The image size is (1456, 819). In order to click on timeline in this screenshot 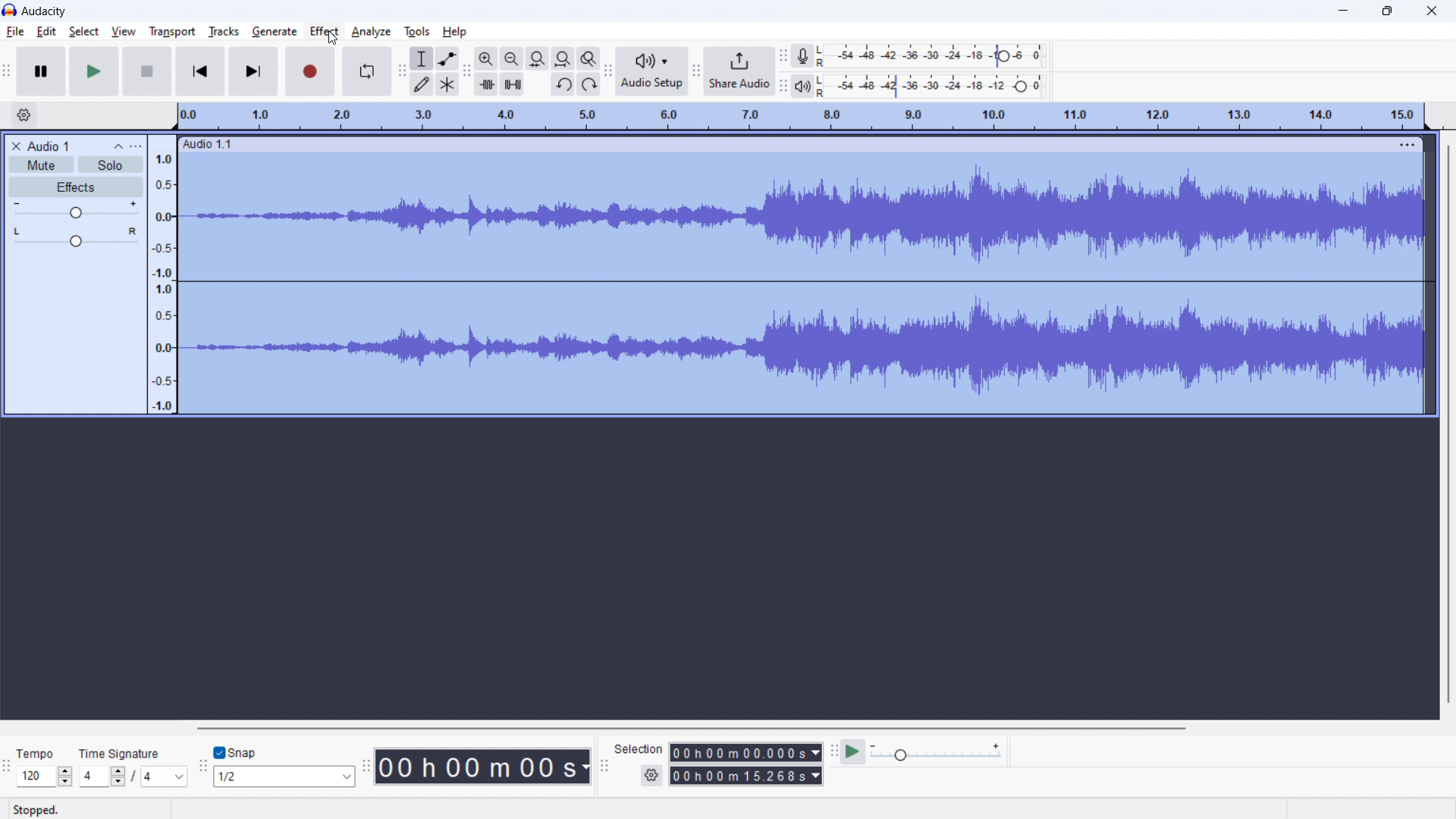, I will do `click(800, 117)`.